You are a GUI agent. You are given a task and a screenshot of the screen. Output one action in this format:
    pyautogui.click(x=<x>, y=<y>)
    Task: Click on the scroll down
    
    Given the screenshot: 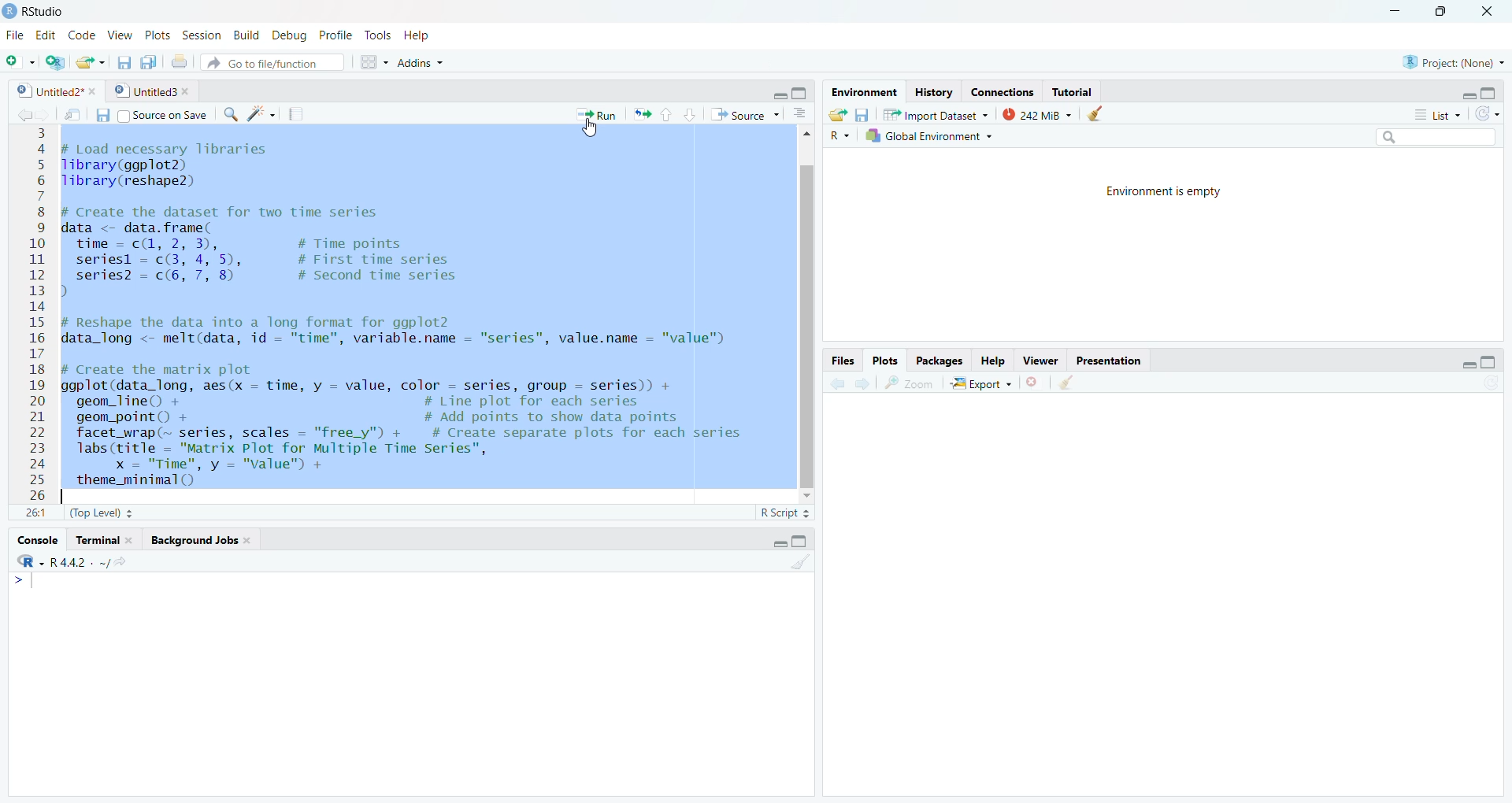 What is the action you would take?
    pyautogui.click(x=806, y=497)
    